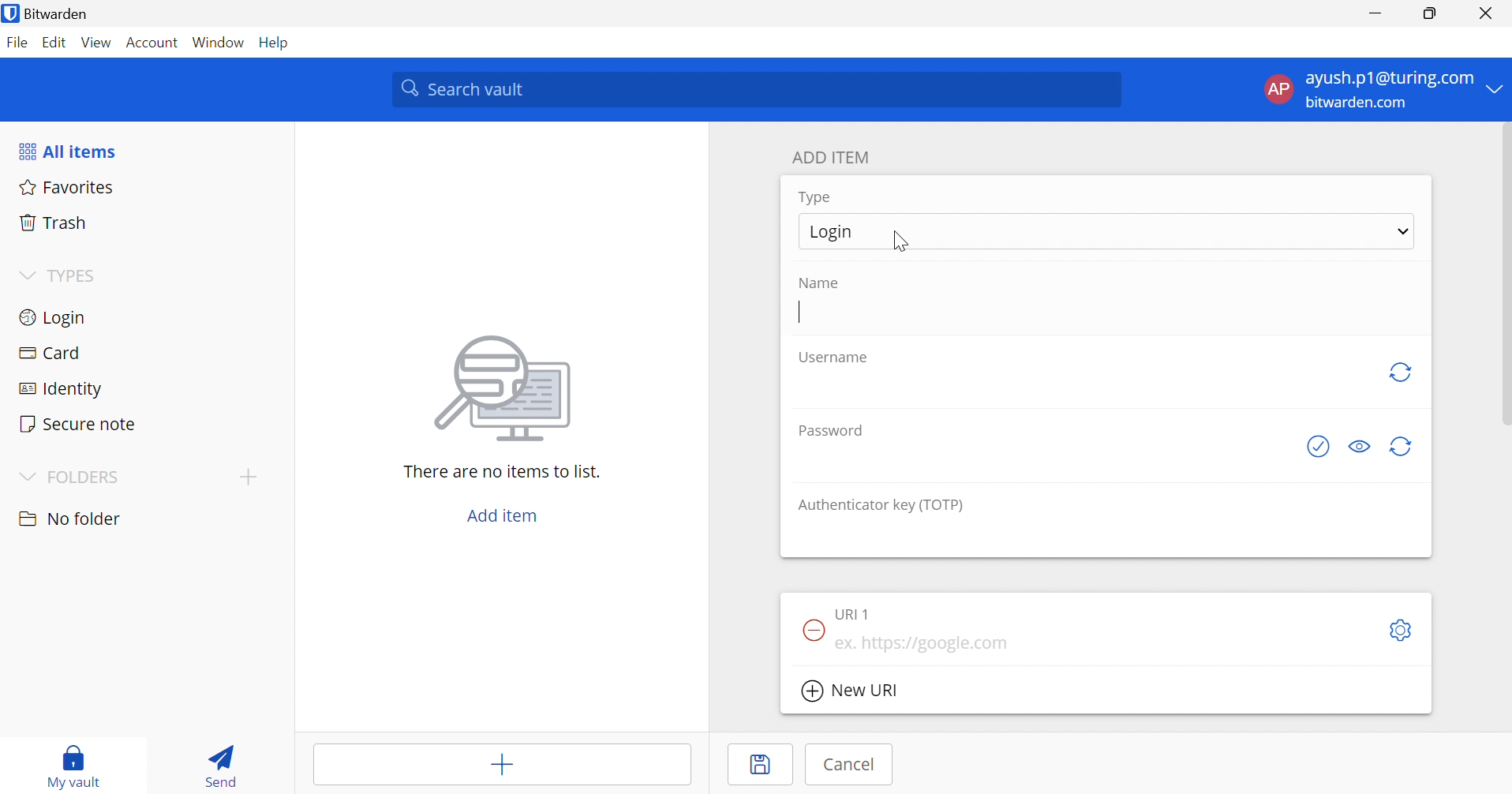 This screenshot has width=1512, height=794. I want to click on Create folder, so click(249, 478).